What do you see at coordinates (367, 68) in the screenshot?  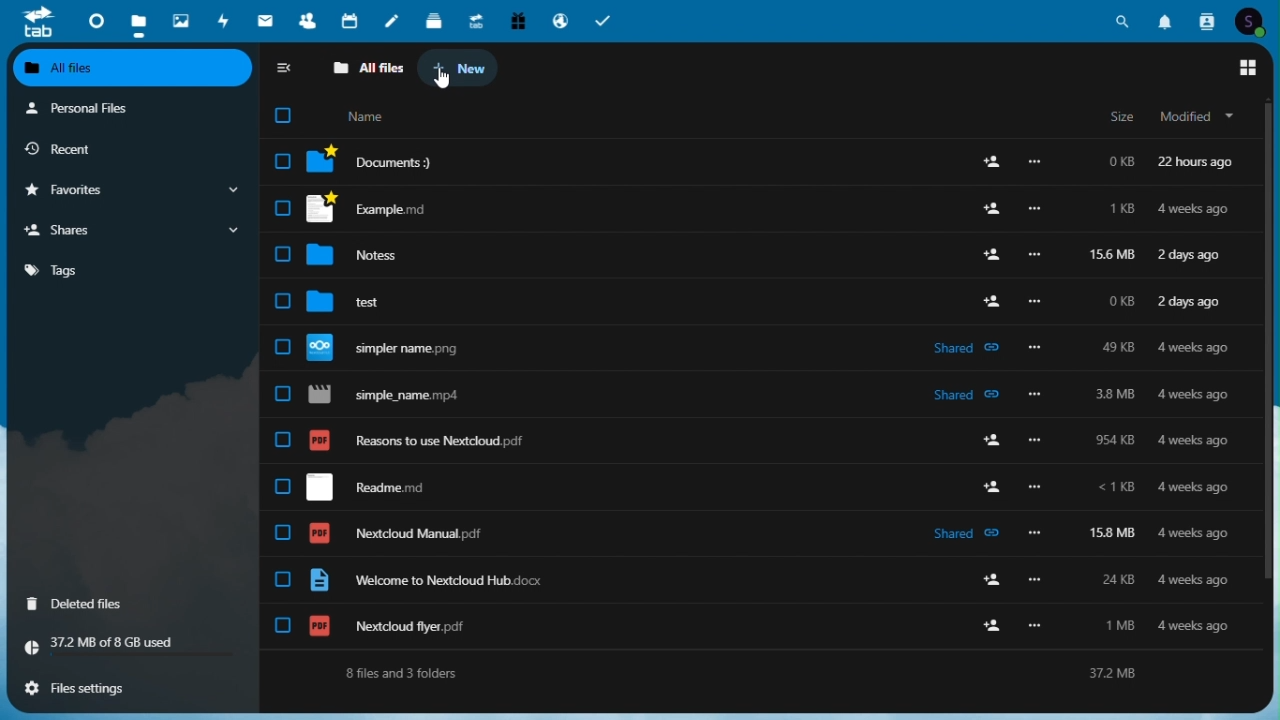 I see `all files` at bounding box center [367, 68].